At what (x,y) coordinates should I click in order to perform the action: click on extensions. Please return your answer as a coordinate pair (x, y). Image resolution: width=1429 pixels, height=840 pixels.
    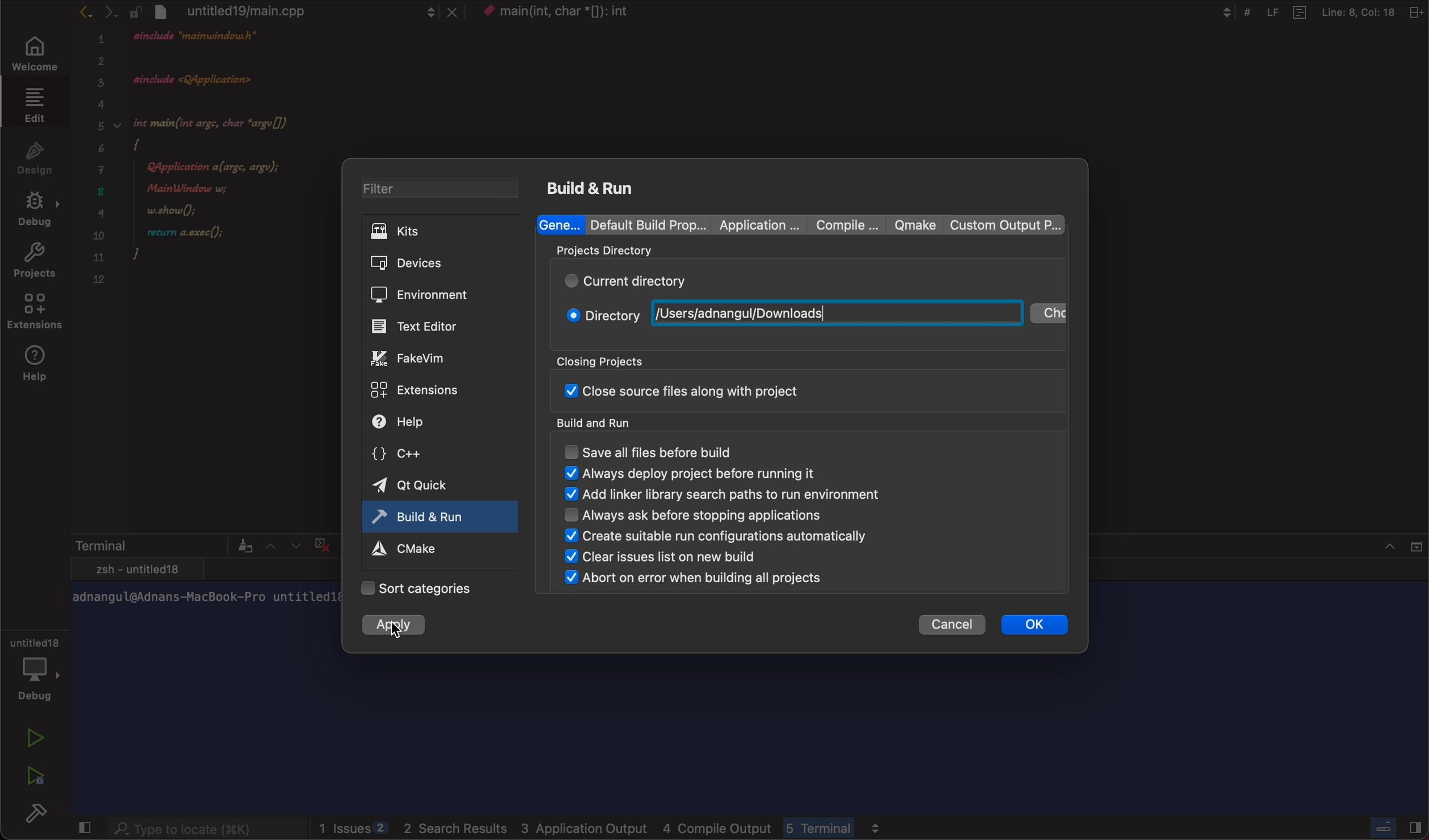
    Looking at the image, I should click on (33, 310).